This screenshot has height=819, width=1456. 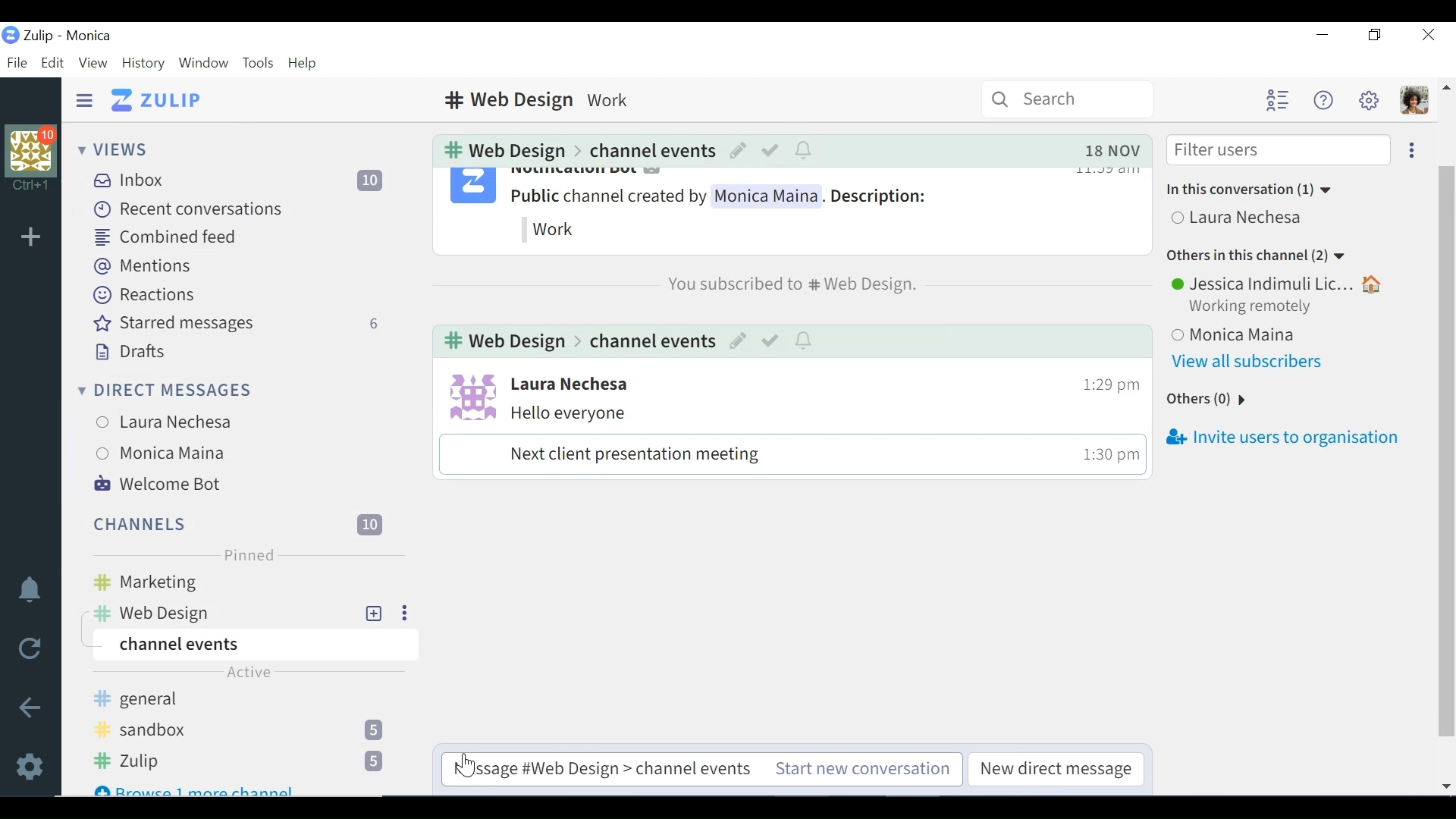 What do you see at coordinates (542, 99) in the screenshot?
I see `web design Channel description` at bounding box center [542, 99].